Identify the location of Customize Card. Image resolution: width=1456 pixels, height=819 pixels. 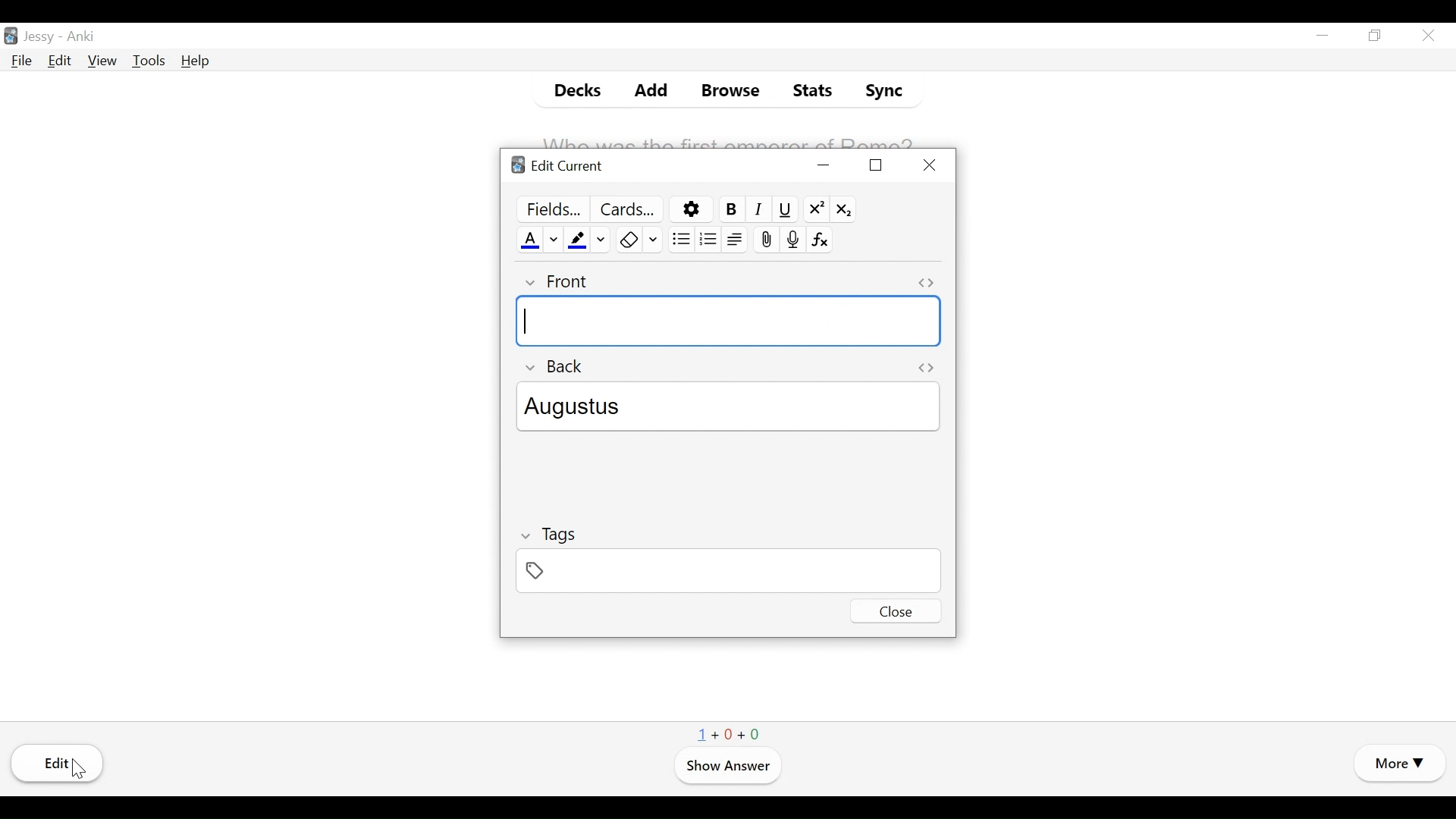
(627, 209).